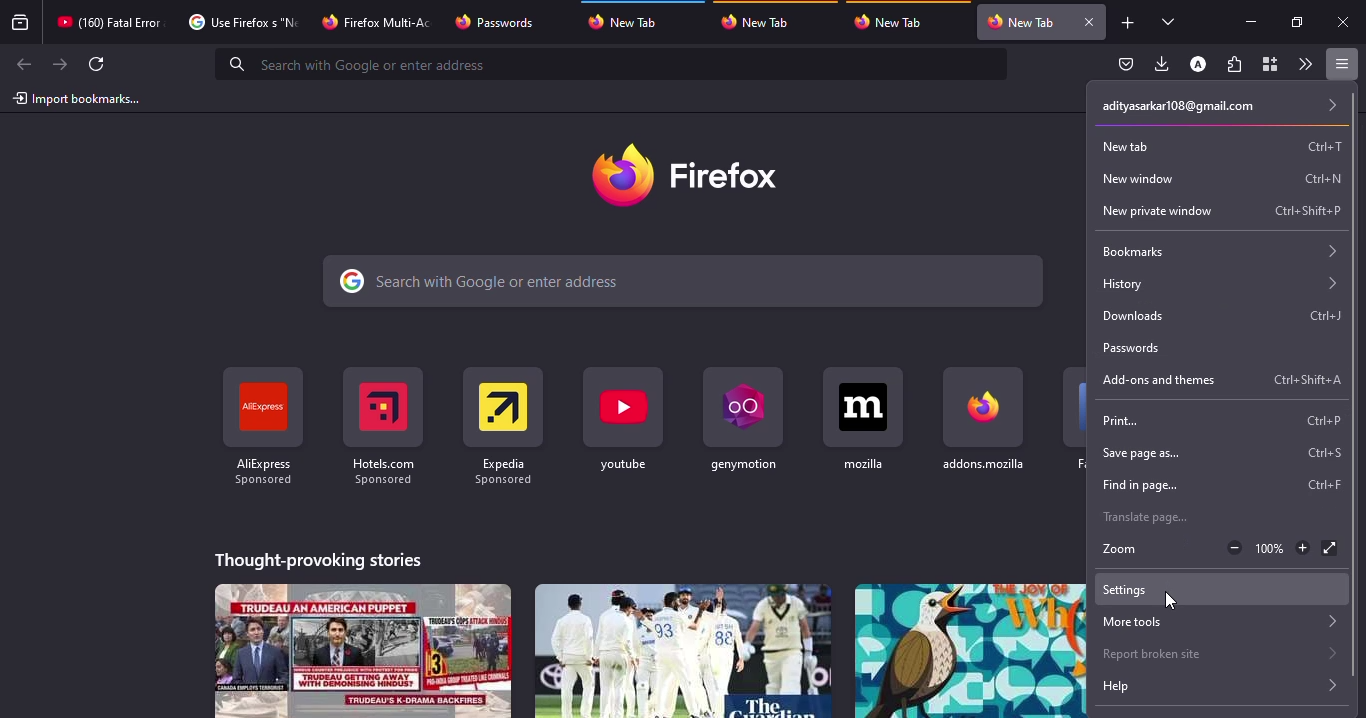  I want to click on view tab, so click(1169, 21).